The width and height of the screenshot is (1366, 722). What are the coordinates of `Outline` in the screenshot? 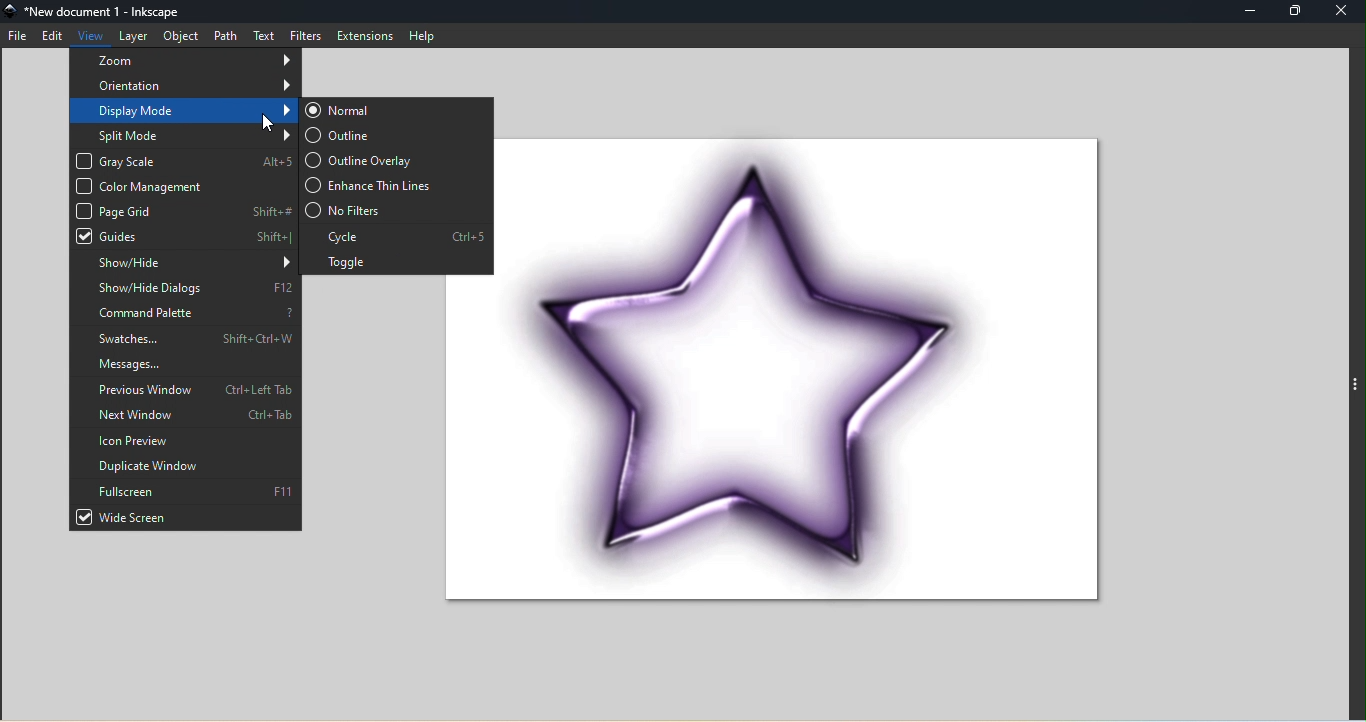 It's located at (395, 133).